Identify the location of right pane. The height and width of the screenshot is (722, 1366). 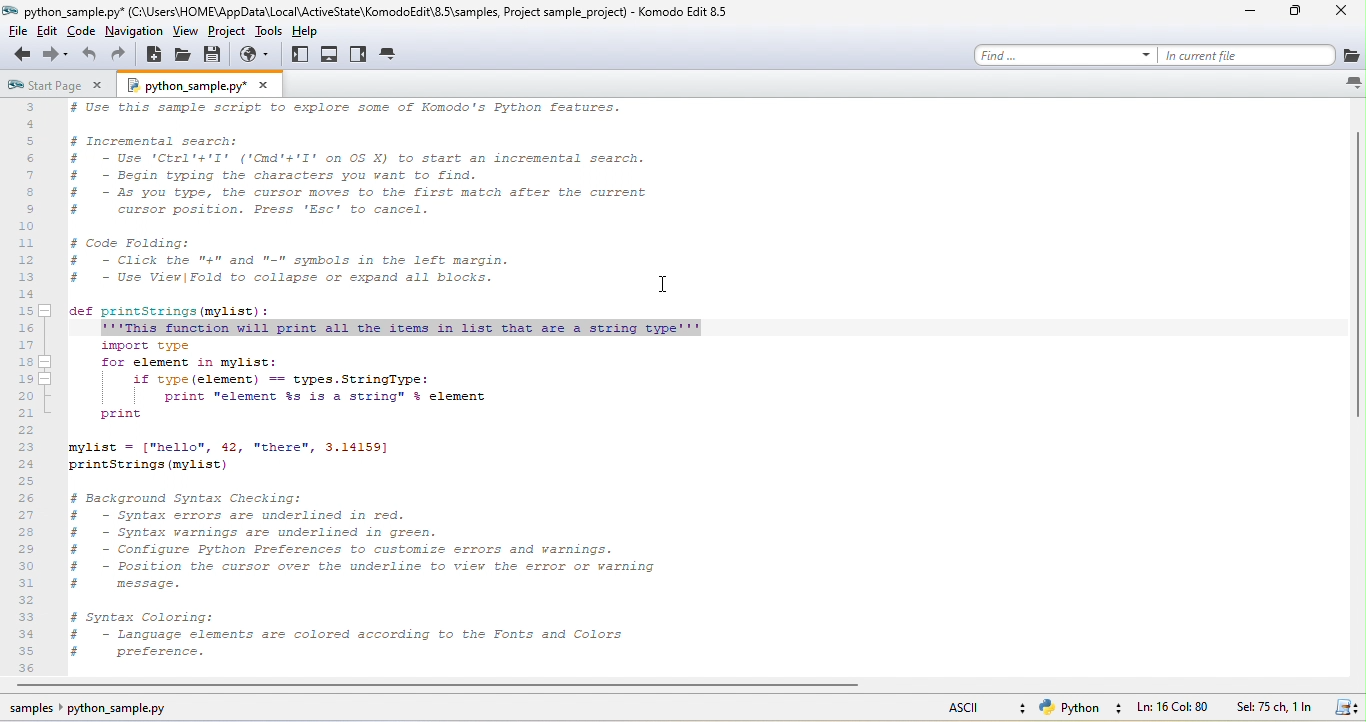
(360, 56).